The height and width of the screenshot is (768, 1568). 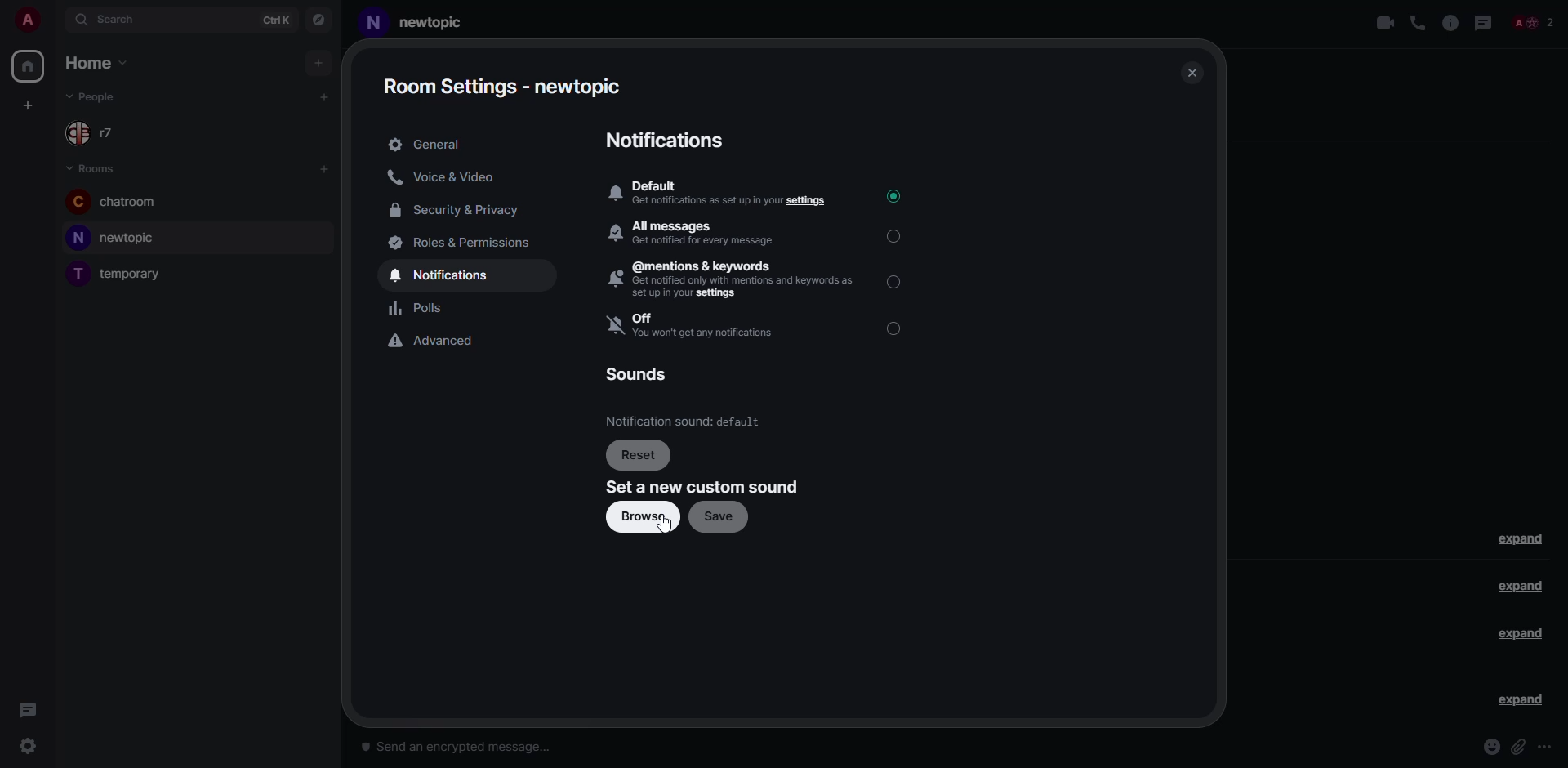 I want to click on add, so click(x=321, y=66).